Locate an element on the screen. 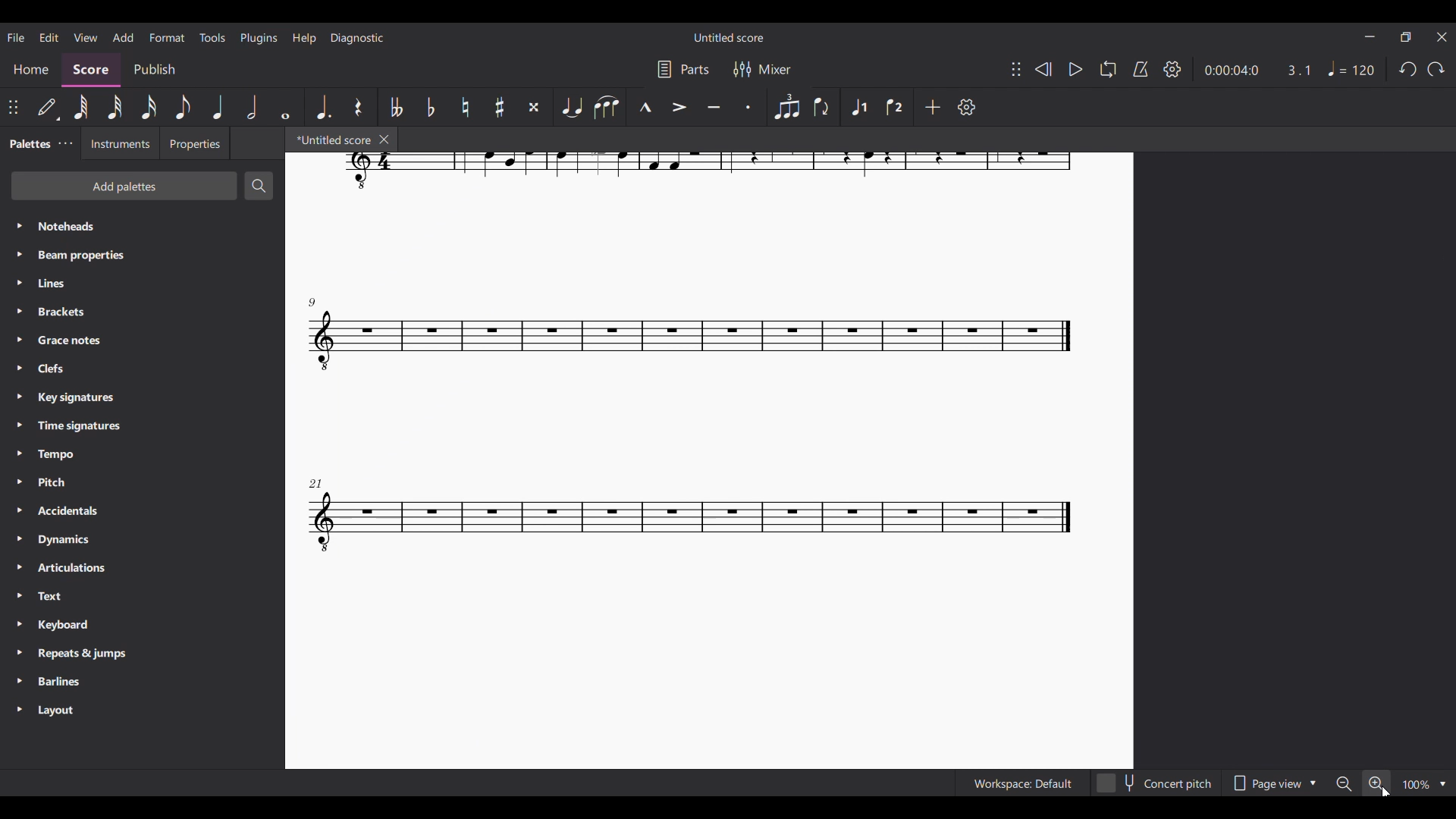 Image resolution: width=1456 pixels, height=819 pixels. Voice 2 is located at coordinates (894, 107).